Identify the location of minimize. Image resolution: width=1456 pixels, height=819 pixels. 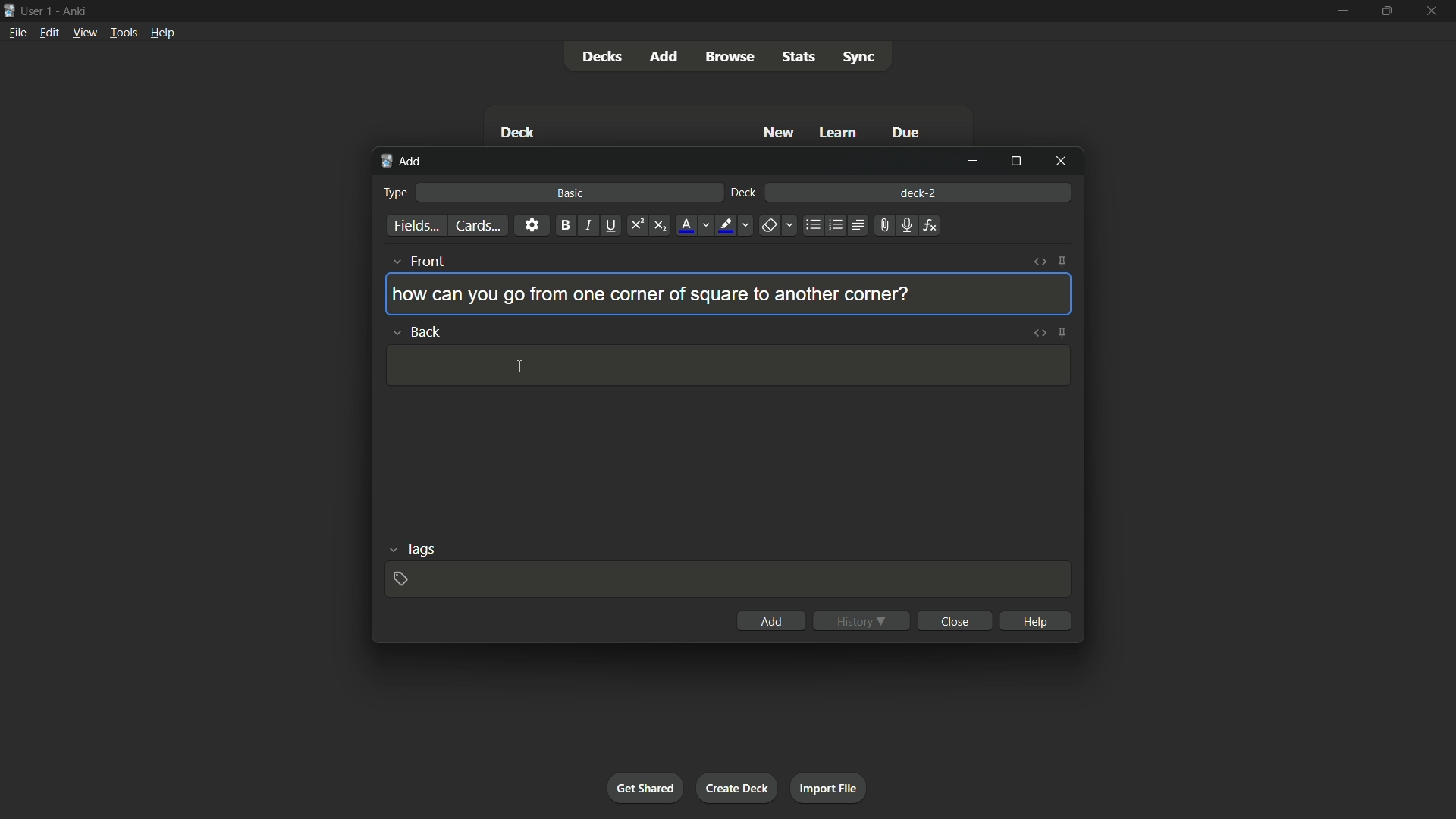
(1345, 10).